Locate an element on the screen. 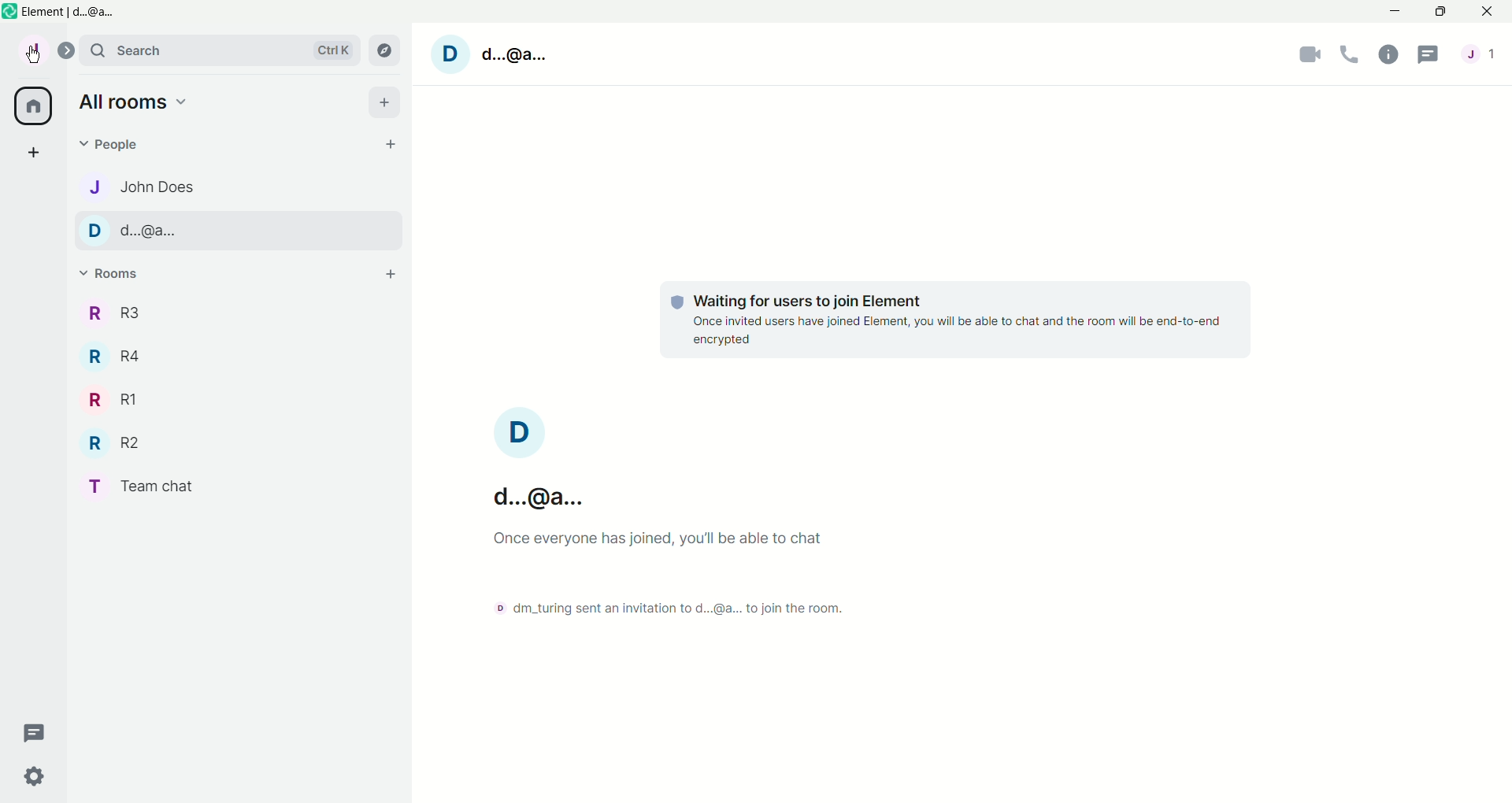  All rooms is located at coordinates (31, 106).